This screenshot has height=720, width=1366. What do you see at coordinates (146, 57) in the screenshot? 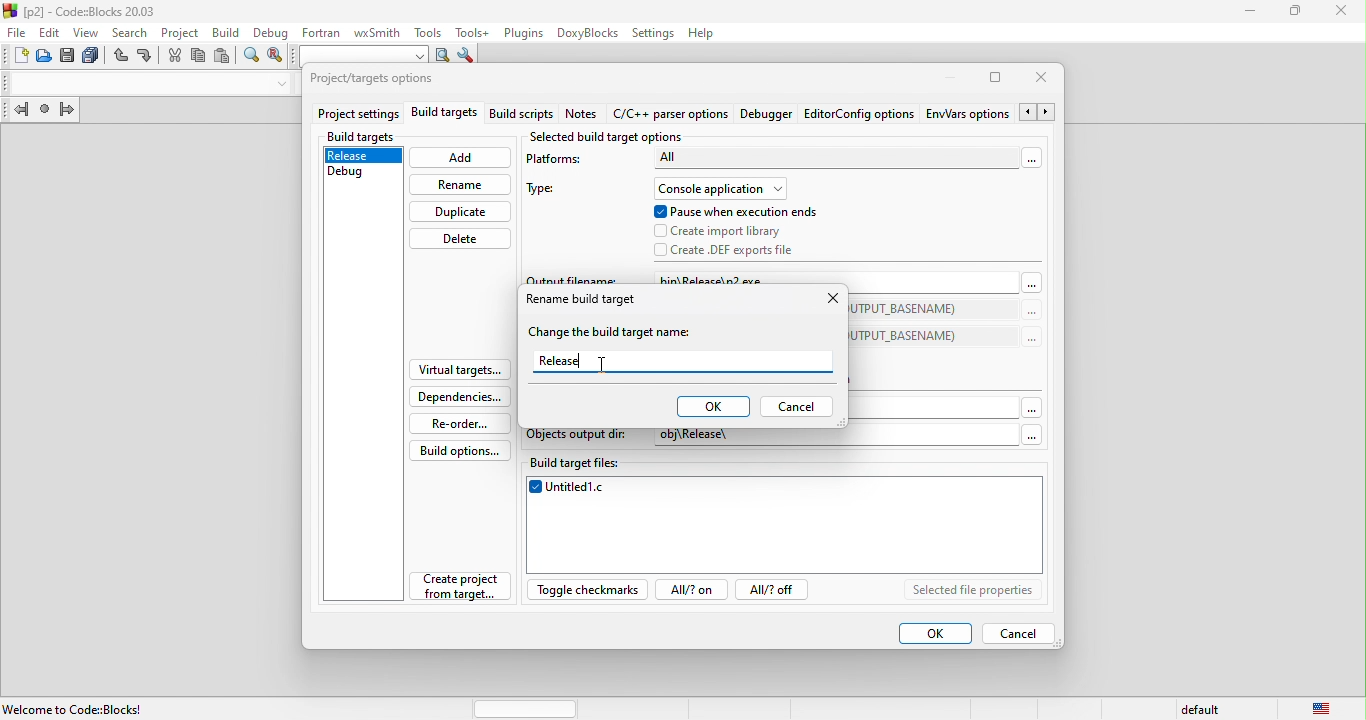
I see `redo` at bounding box center [146, 57].